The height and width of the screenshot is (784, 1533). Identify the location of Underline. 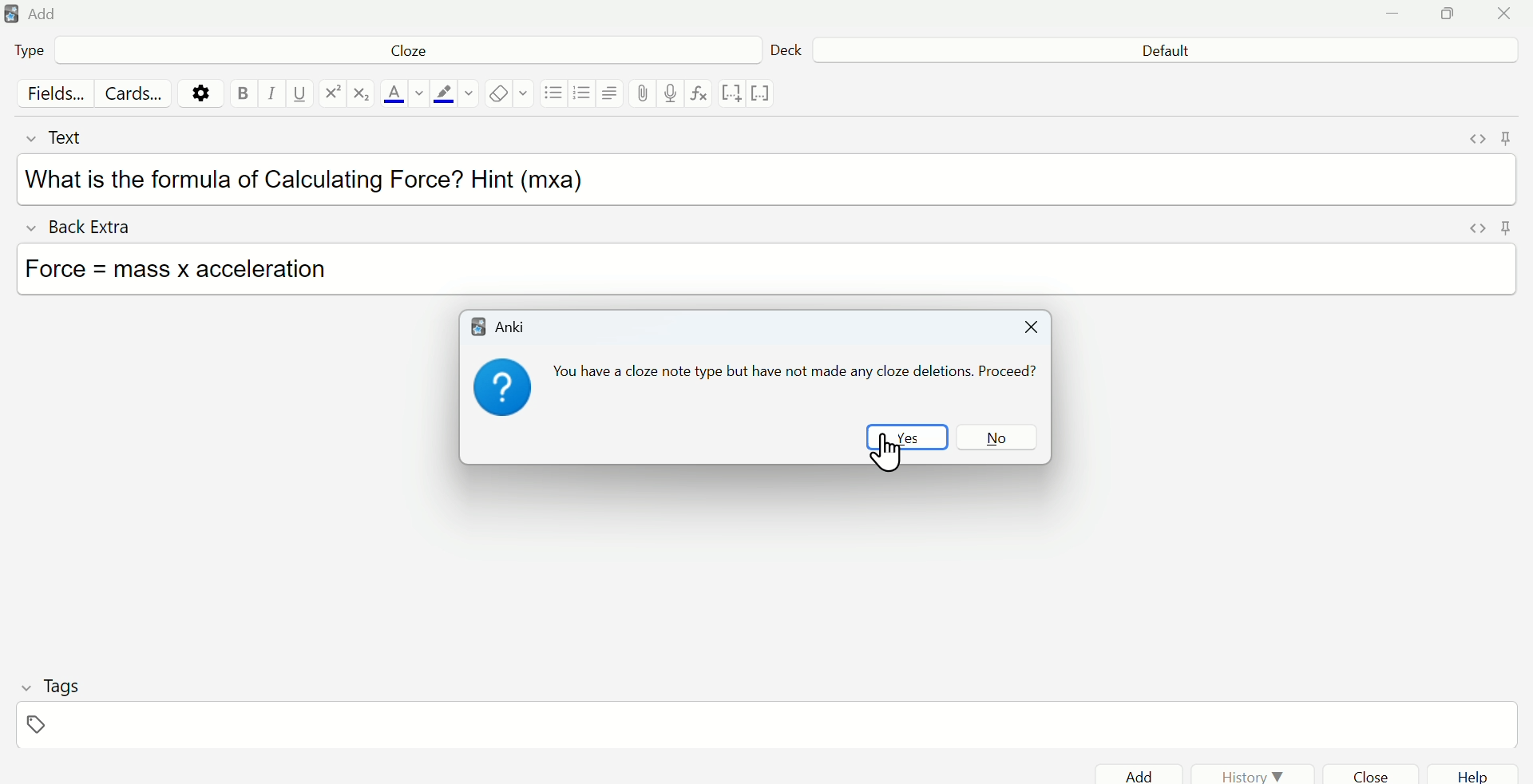
(299, 95).